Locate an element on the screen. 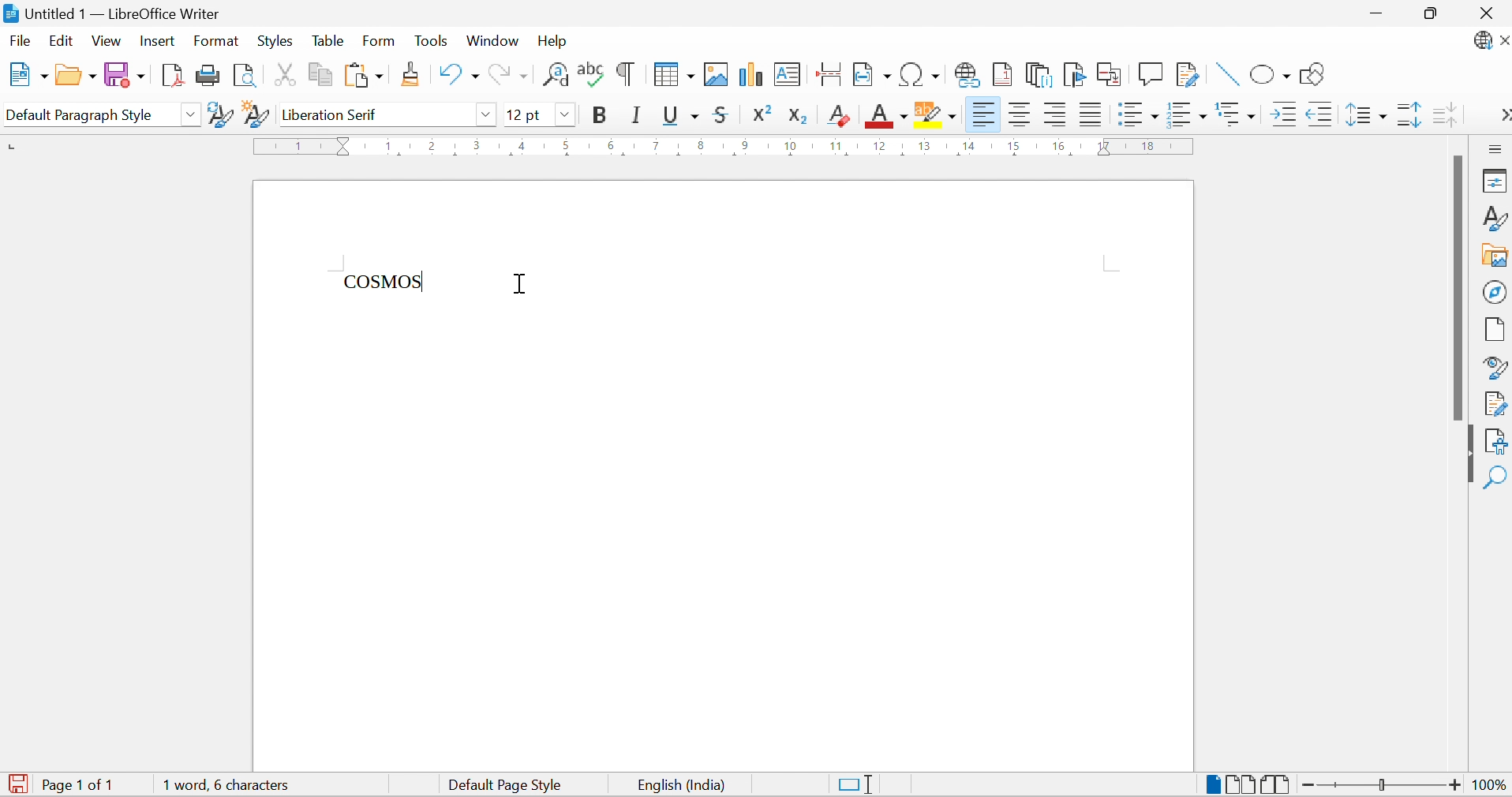 The height and width of the screenshot is (797, 1512). COSMOS is located at coordinates (385, 281).